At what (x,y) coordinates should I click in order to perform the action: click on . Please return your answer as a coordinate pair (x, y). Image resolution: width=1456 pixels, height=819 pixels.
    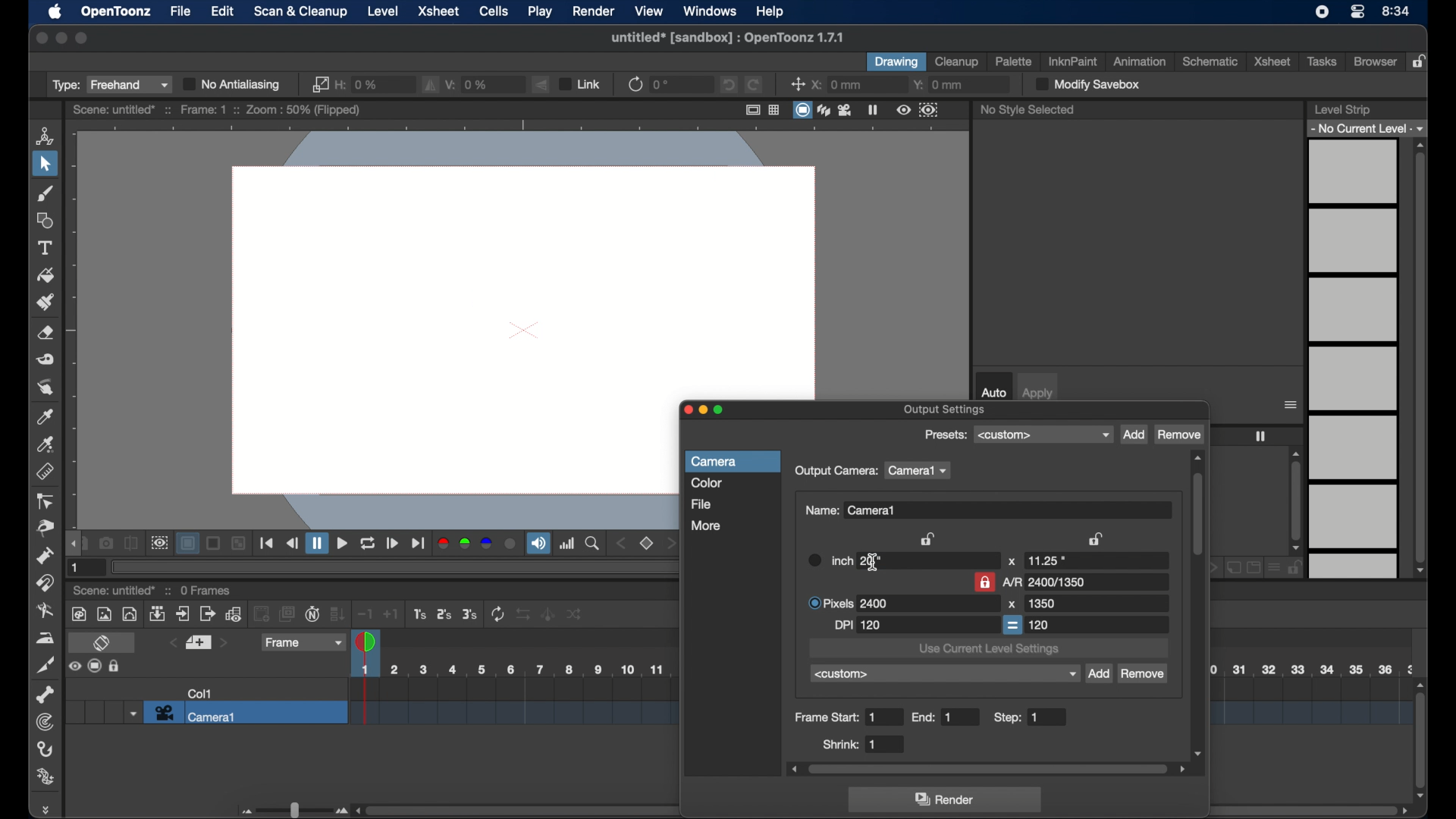
    Looking at the image, I should click on (105, 616).